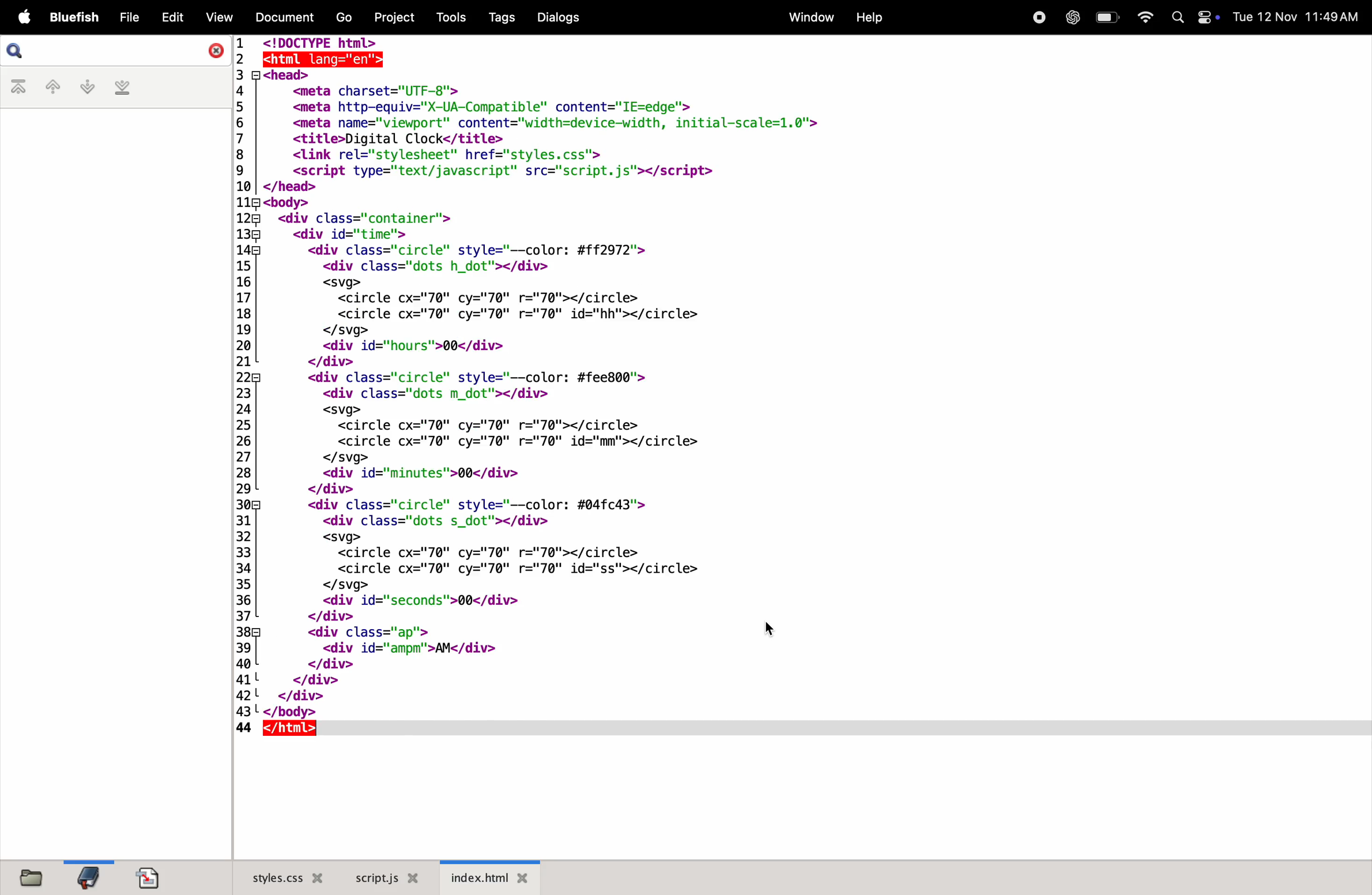  I want to click on apple menu, so click(20, 17).